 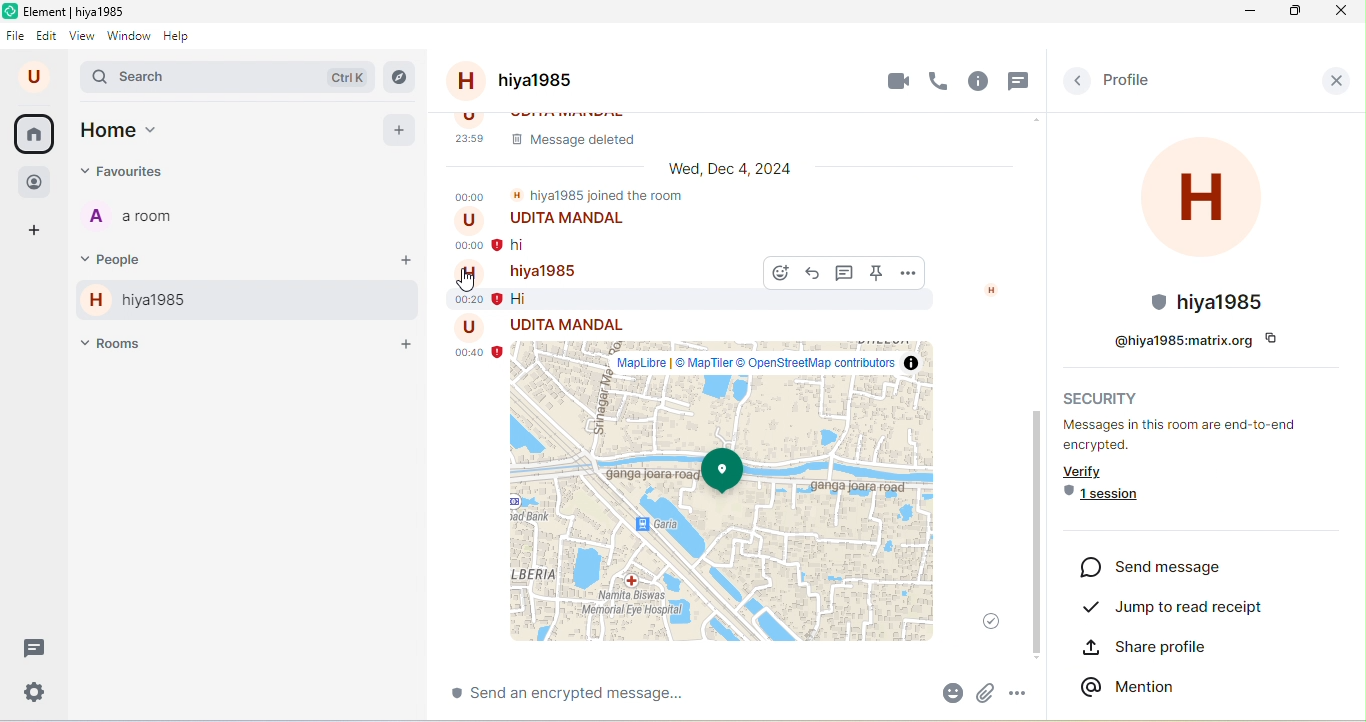 I want to click on start chat, so click(x=406, y=260).